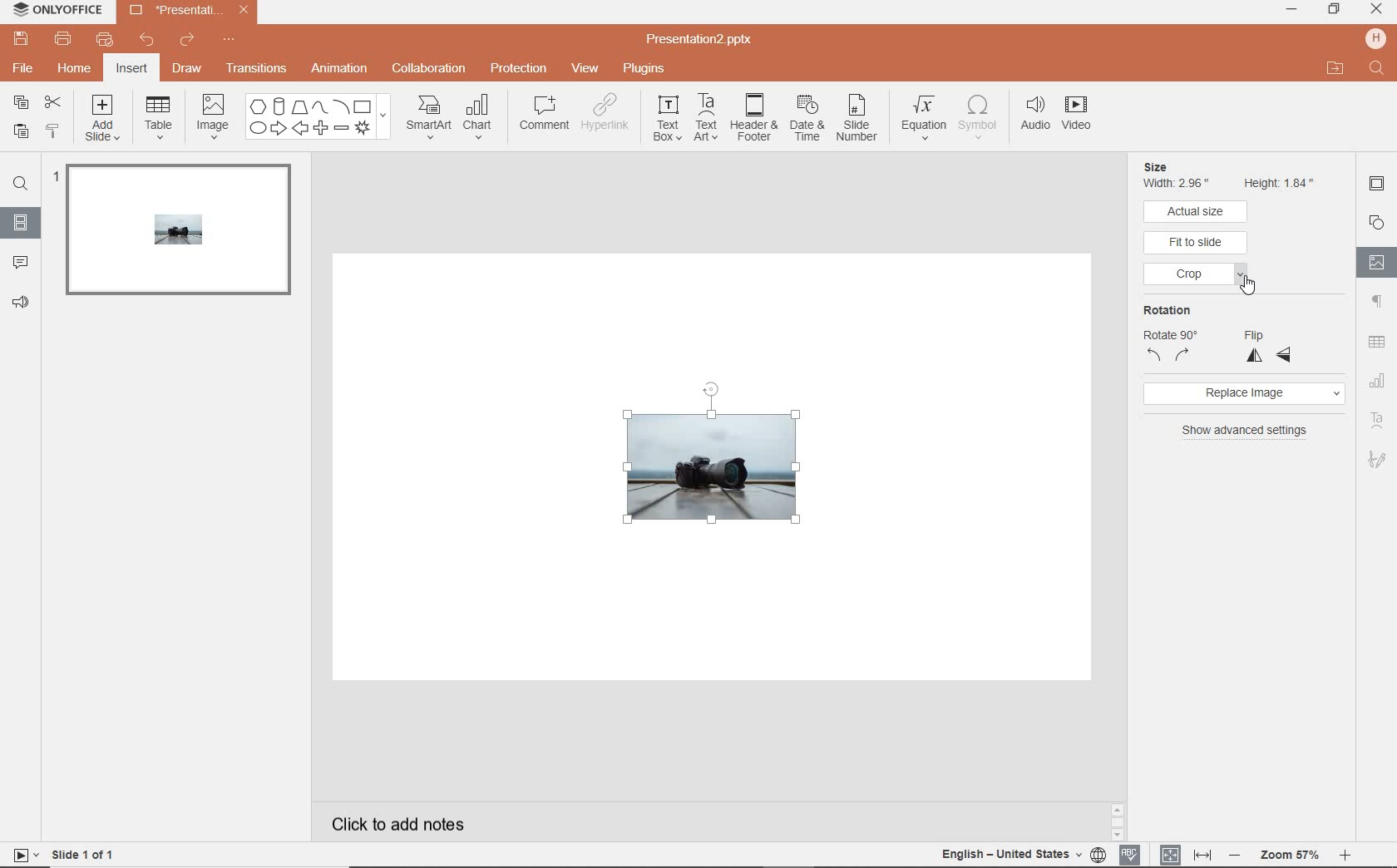 Image resolution: width=1397 pixels, height=868 pixels. Describe the element at coordinates (1295, 11) in the screenshot. I see `minimize` at that location.